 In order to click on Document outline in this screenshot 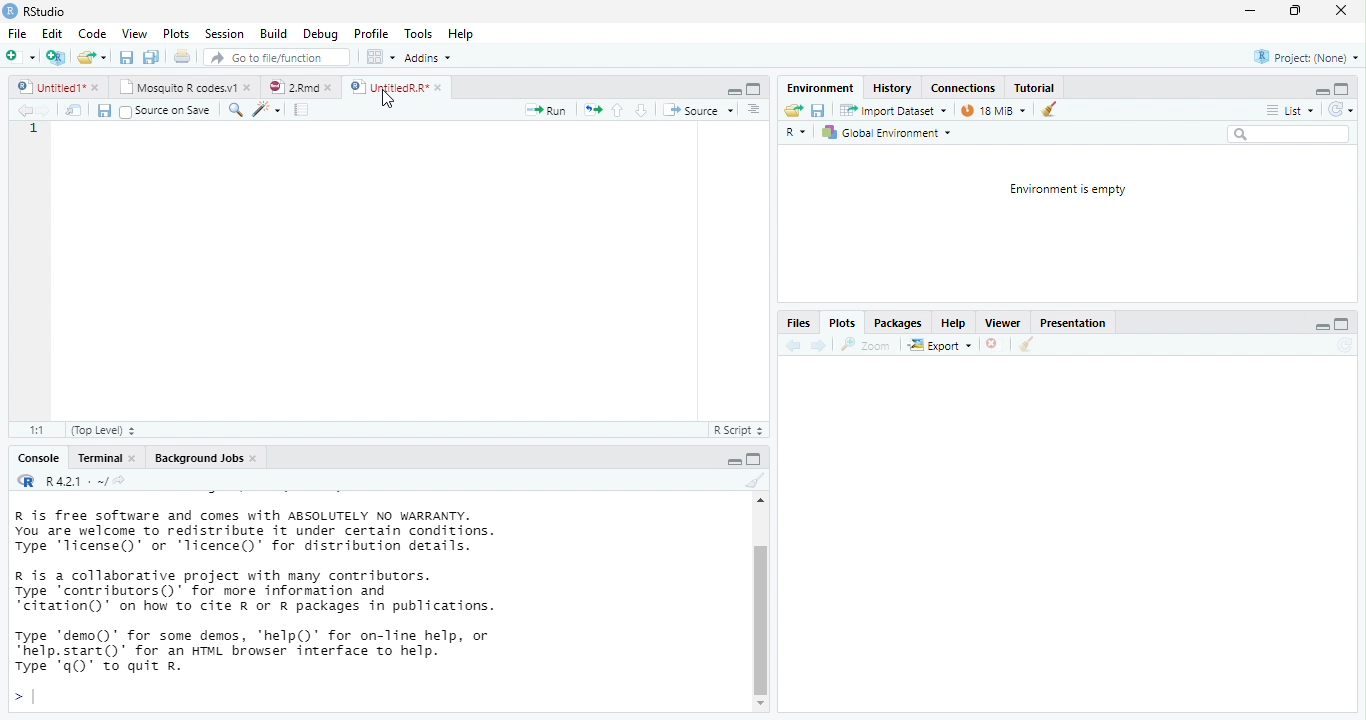, I will do `click(755, 110)`.